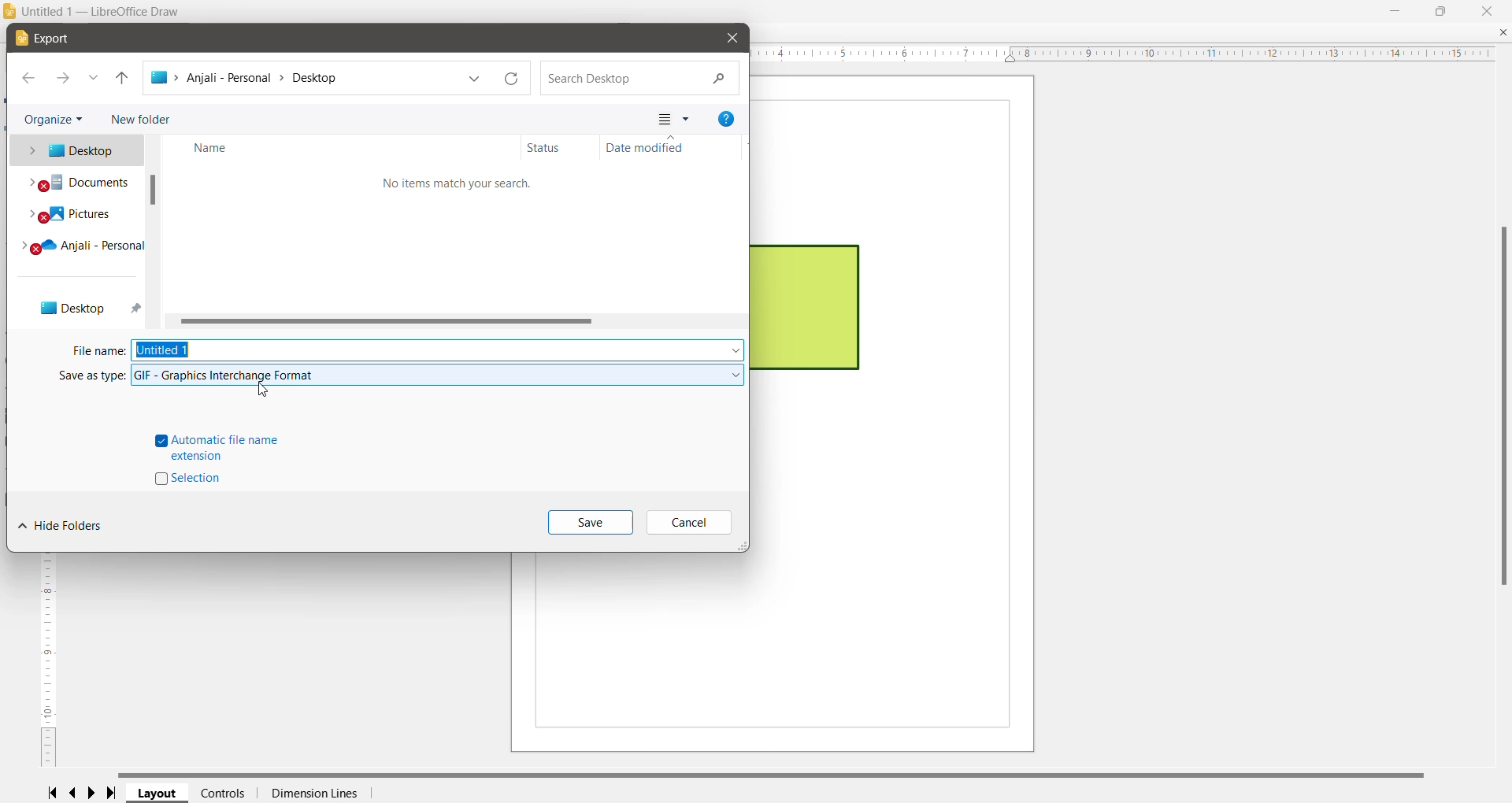 The width and height of the screenshot is (1512, 803). Describe the element at coordinates (438, 349) in the screenshot. I see `Set required file name` at that location.